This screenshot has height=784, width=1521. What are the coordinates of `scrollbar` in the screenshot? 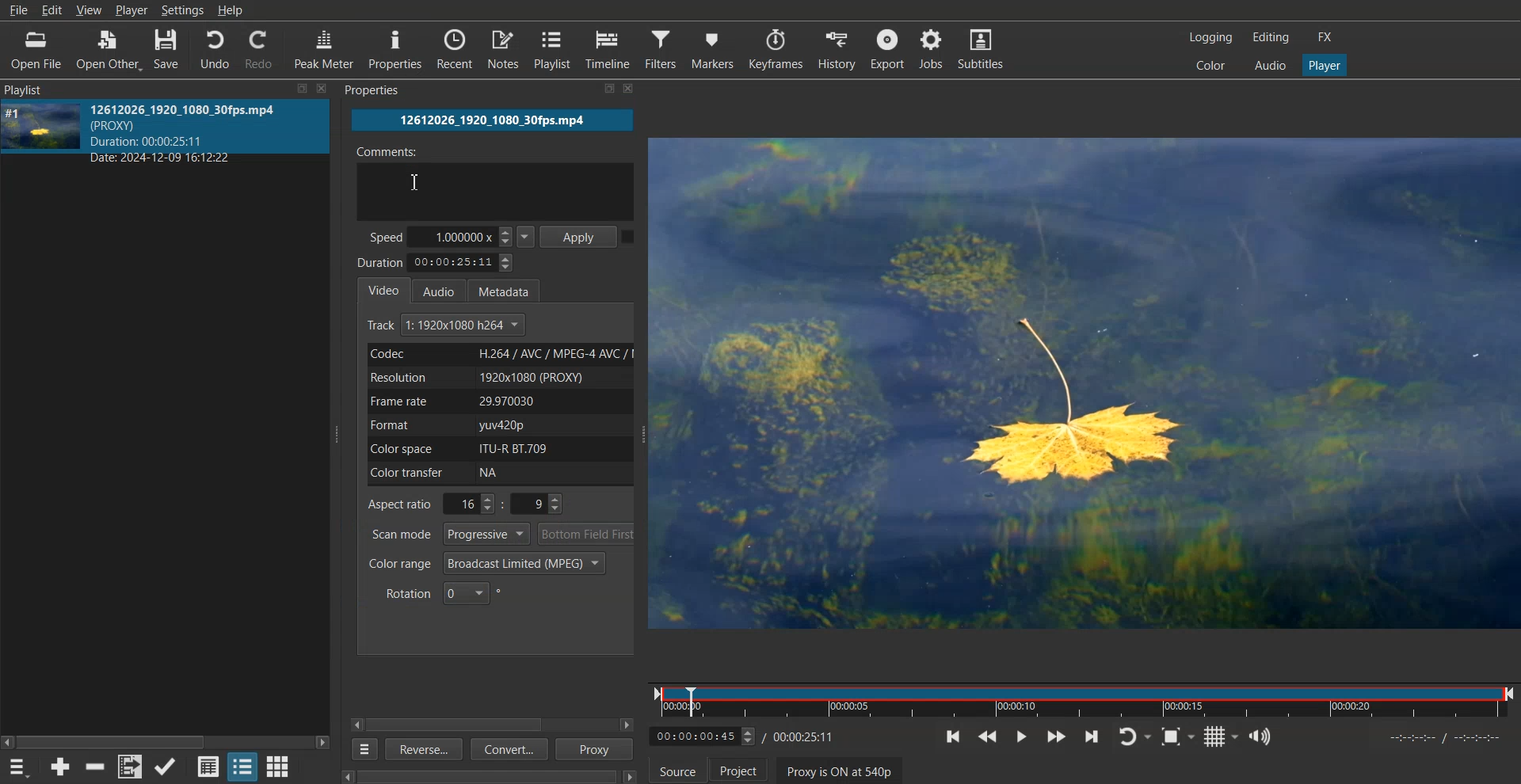 It's located at (166, 736).